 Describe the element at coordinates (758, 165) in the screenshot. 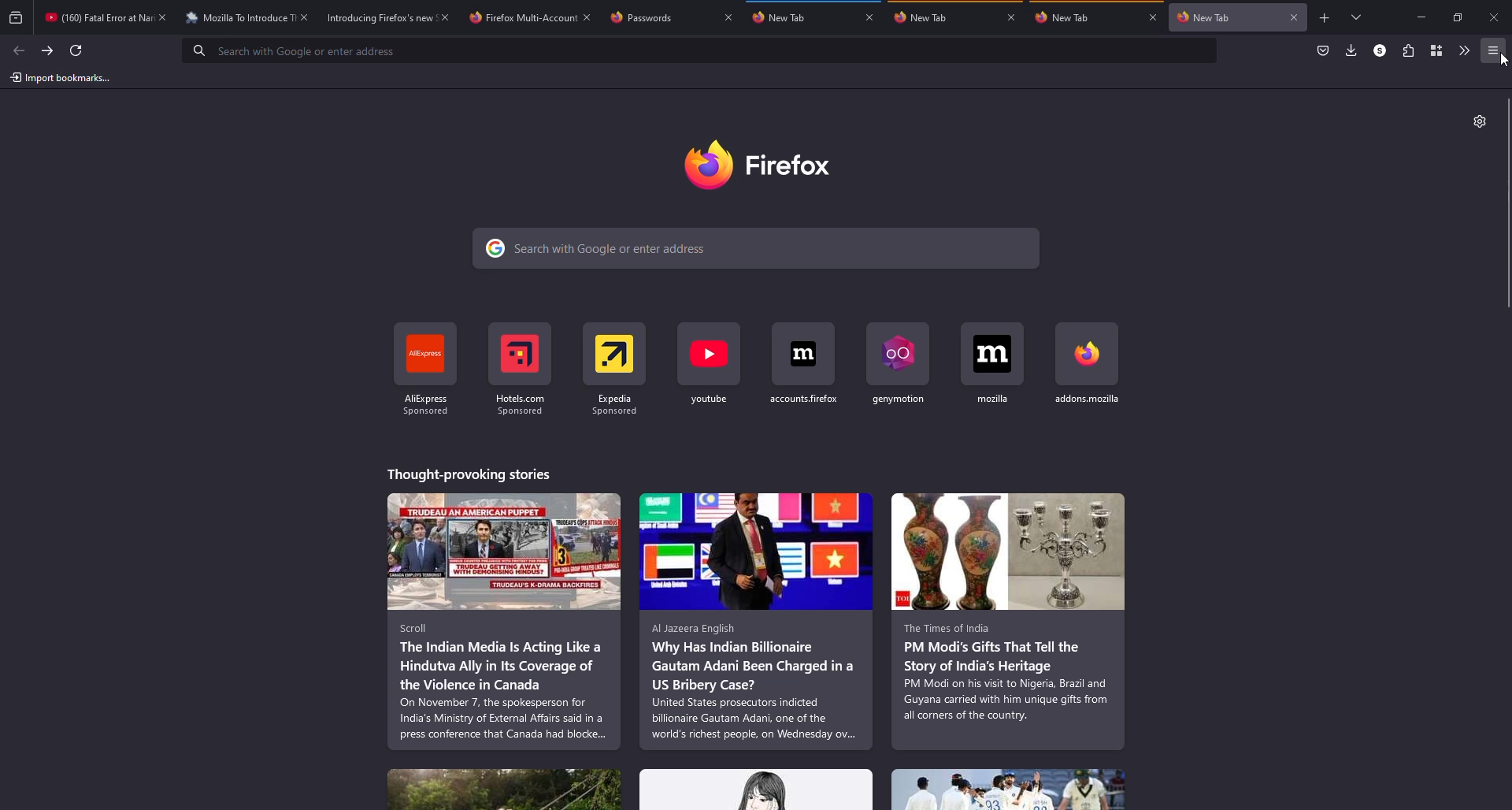

I see `firefox` at that location.